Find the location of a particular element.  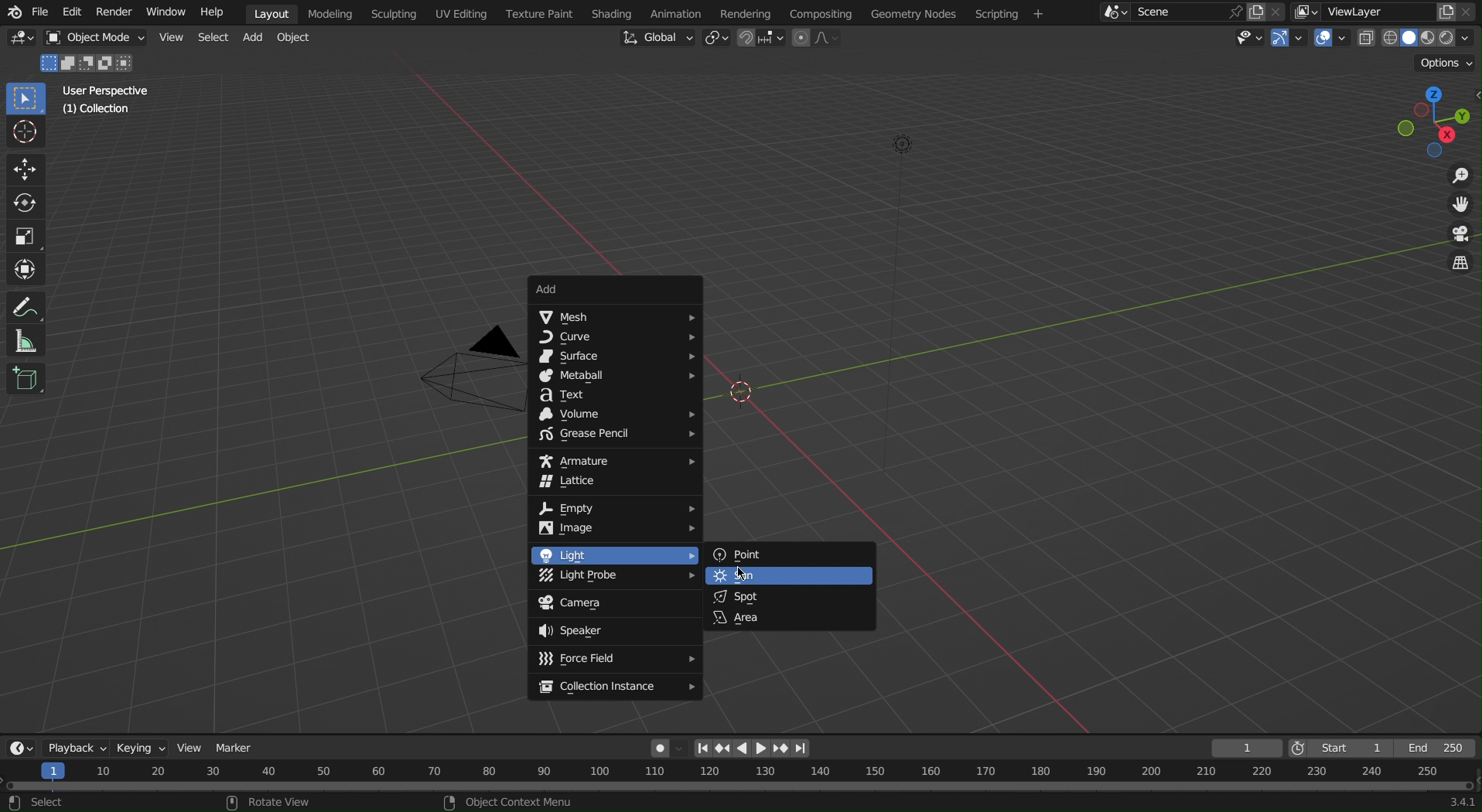

Logo is located at coordinates (12, 13).